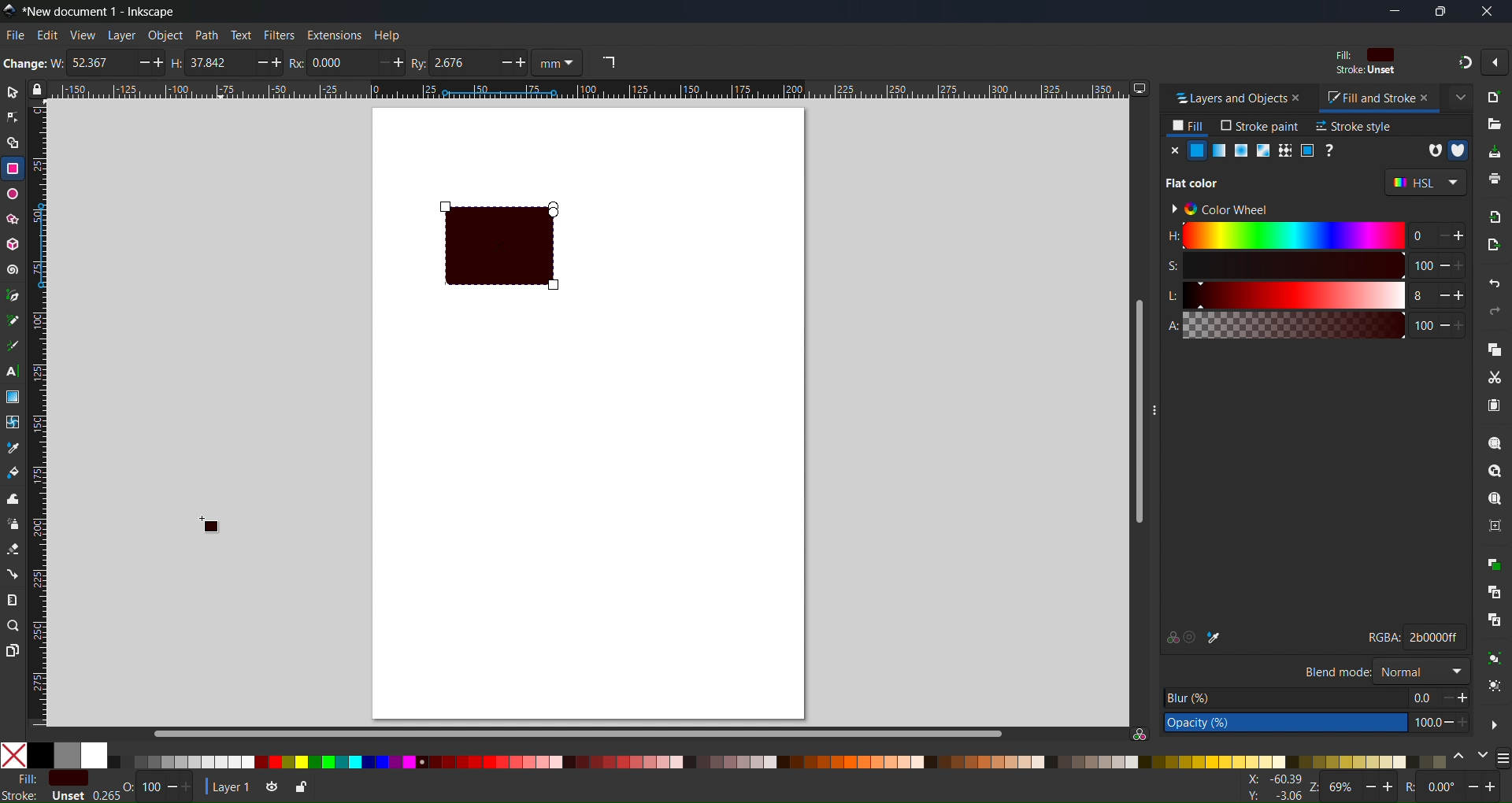  What do you see at coordinates (1193, 637) in the screenshot?
I see `Out of gamut` at bounding box center [1193, 637].